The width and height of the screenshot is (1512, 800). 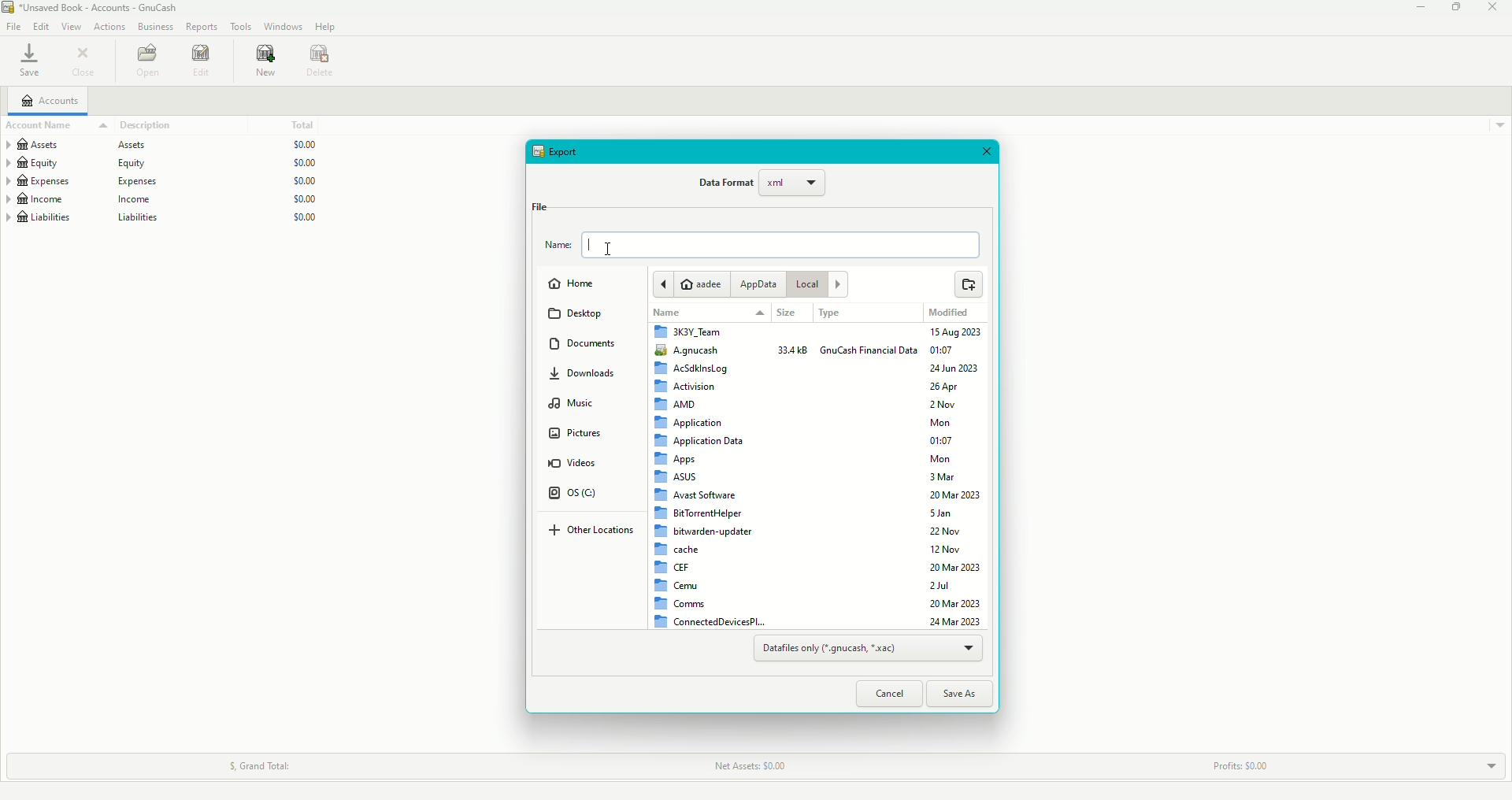 I want to click on Open, so click(x=146, y=61).